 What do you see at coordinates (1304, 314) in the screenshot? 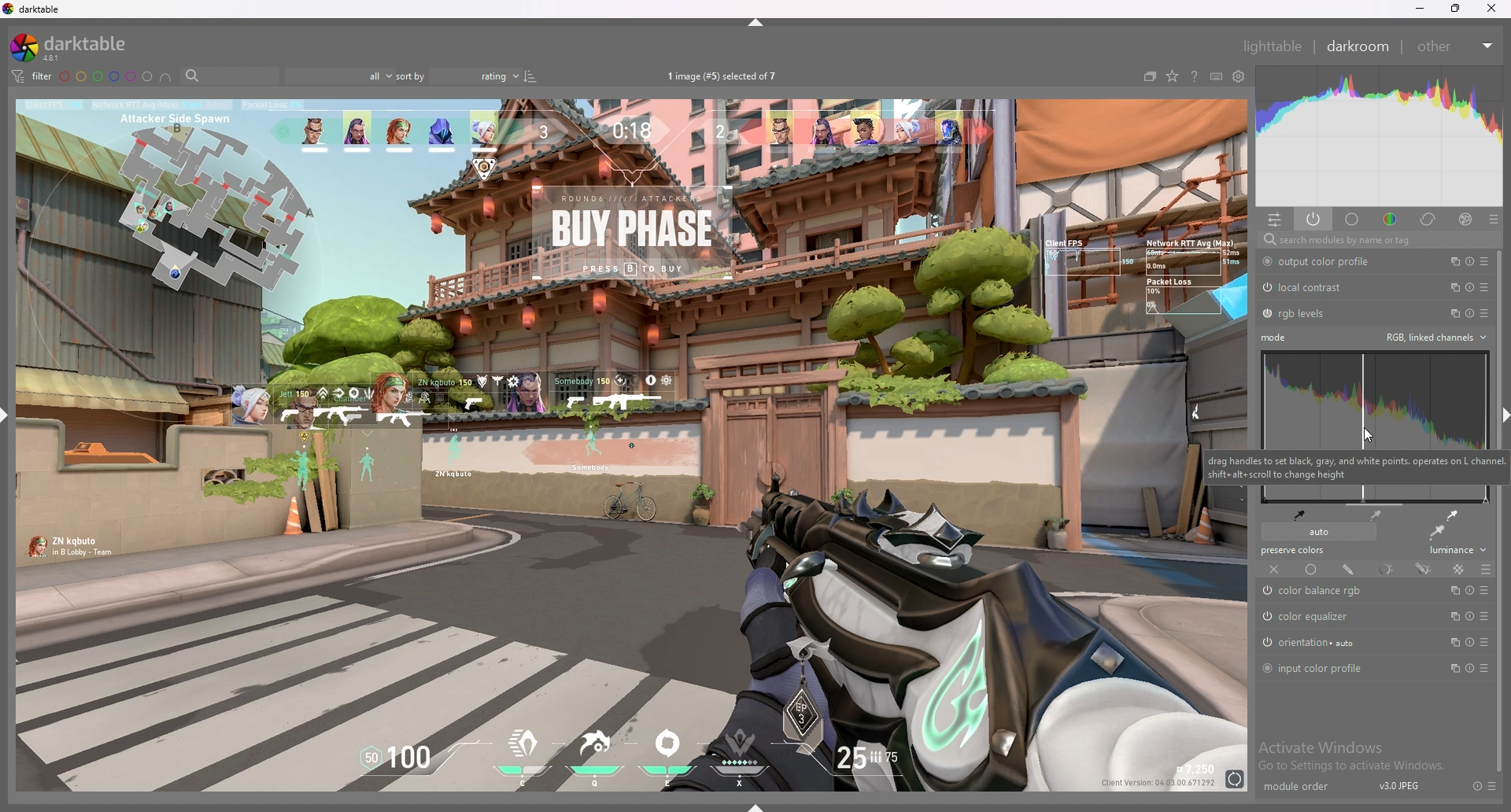
I see `rgb levels` at bounding box center [1304, 314].